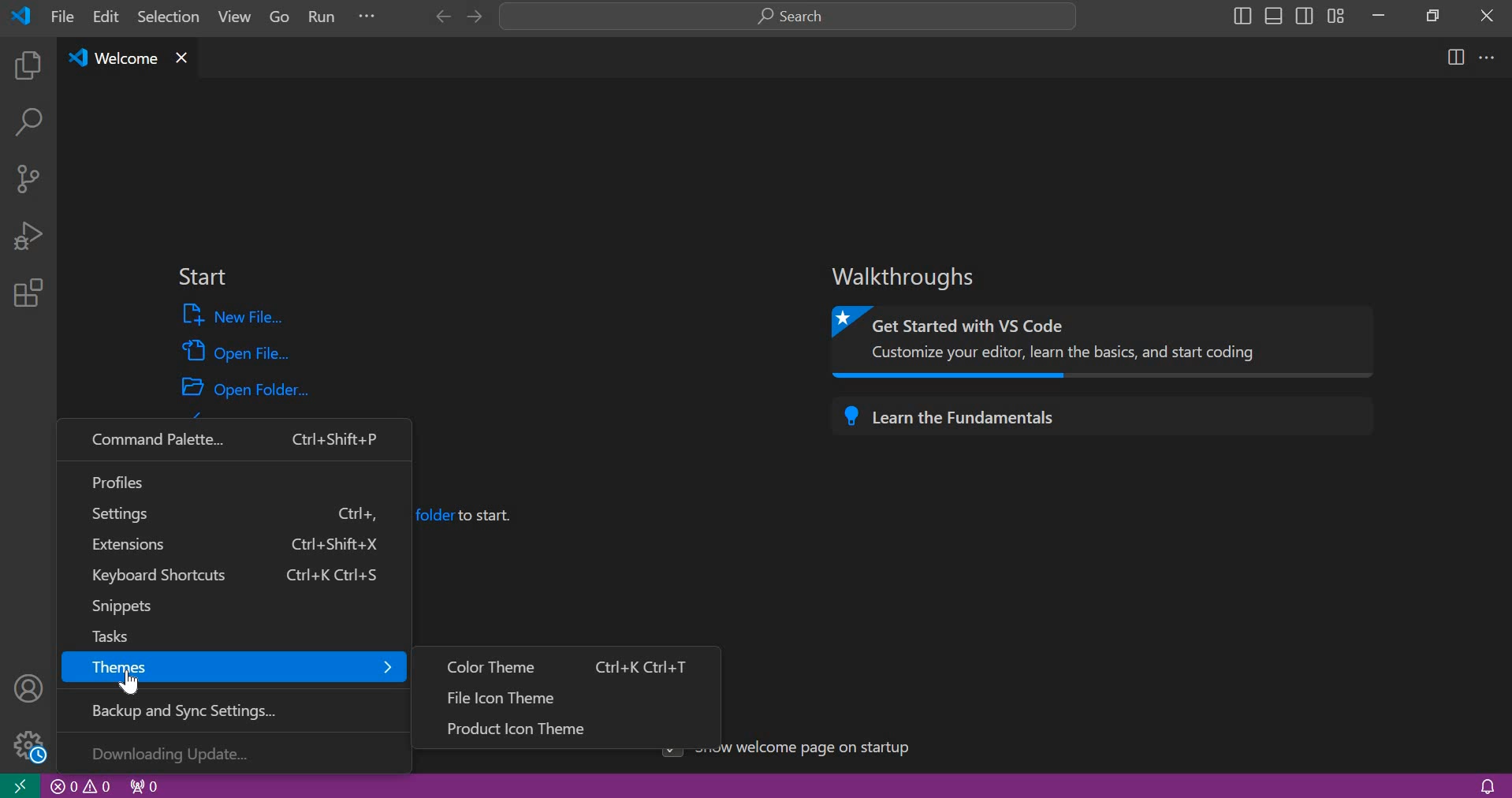 The image size is (1512, 798). Describe the element at coordinates (1428, 14) in the screenshot. I see `restore down` at that location.